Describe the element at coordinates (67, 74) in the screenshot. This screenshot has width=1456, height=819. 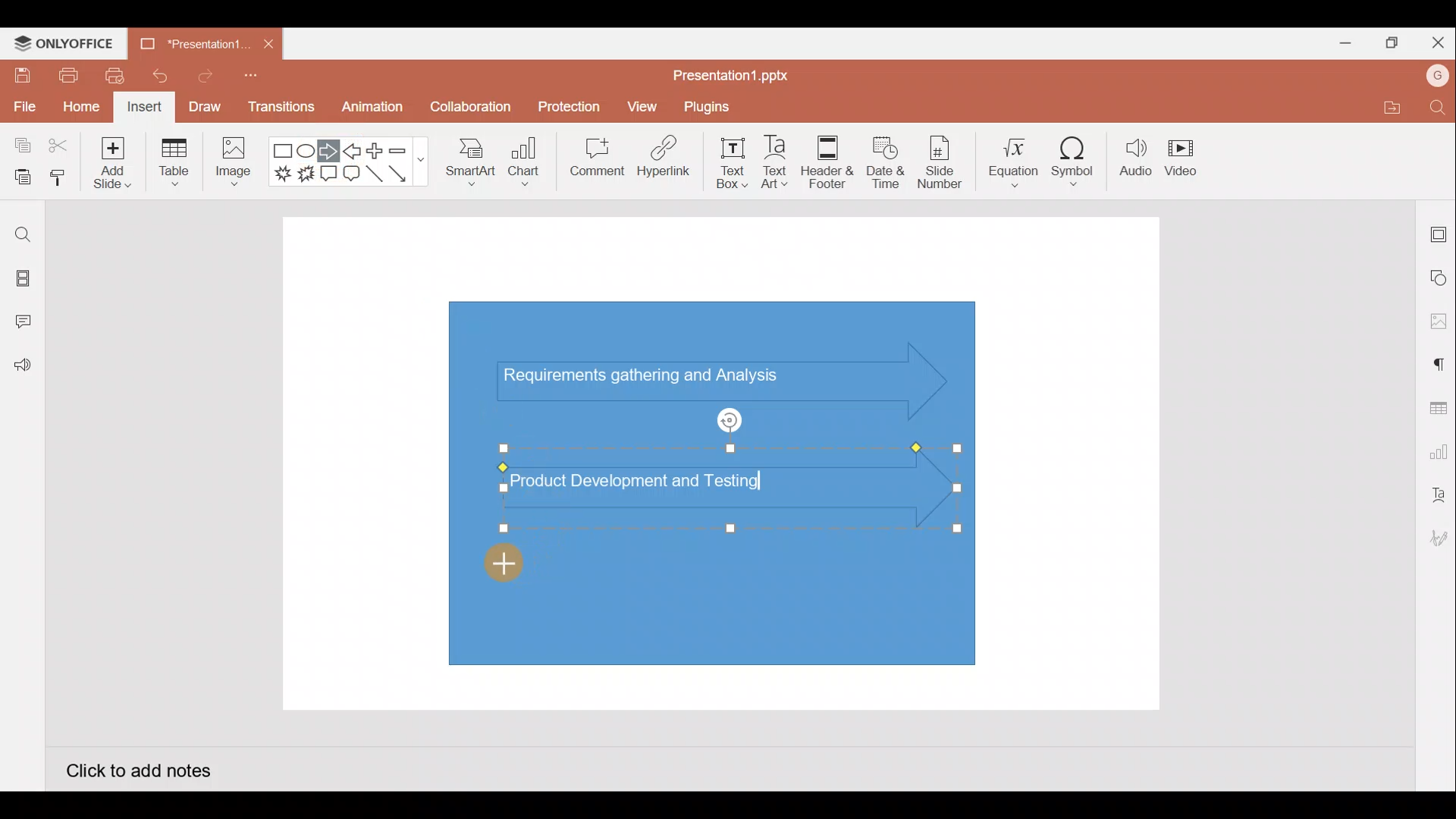
I see `Print file` at that location.